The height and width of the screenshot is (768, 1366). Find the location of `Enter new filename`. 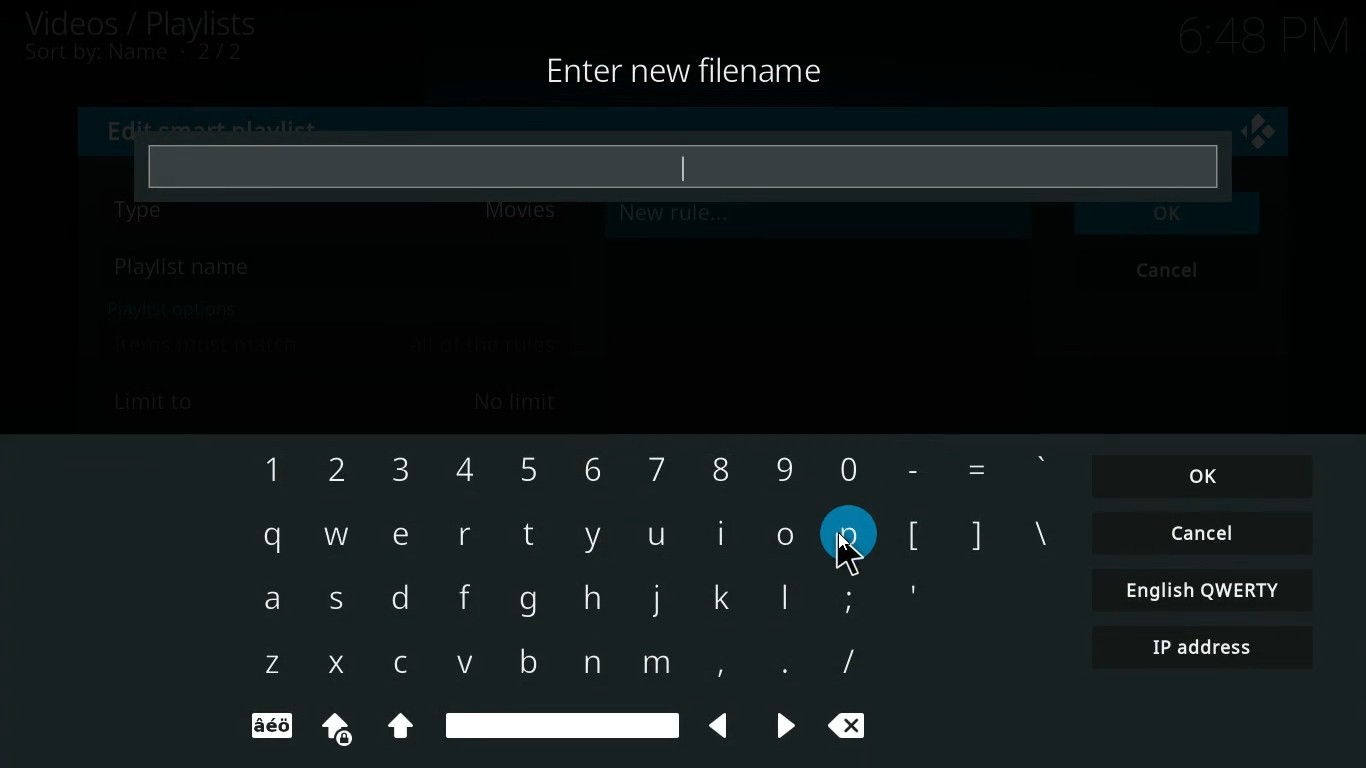

Enter new filename is located at coordinates (687, 73).